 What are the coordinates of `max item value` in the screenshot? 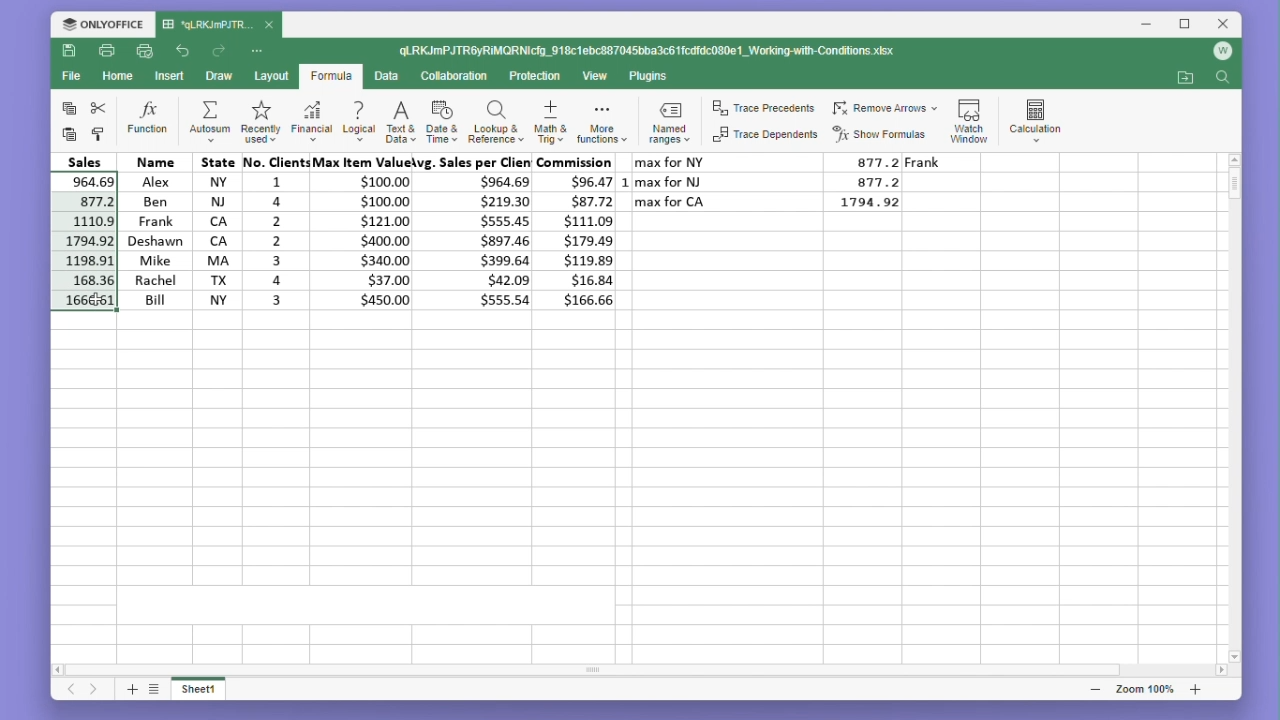 It's located at (359, 231).